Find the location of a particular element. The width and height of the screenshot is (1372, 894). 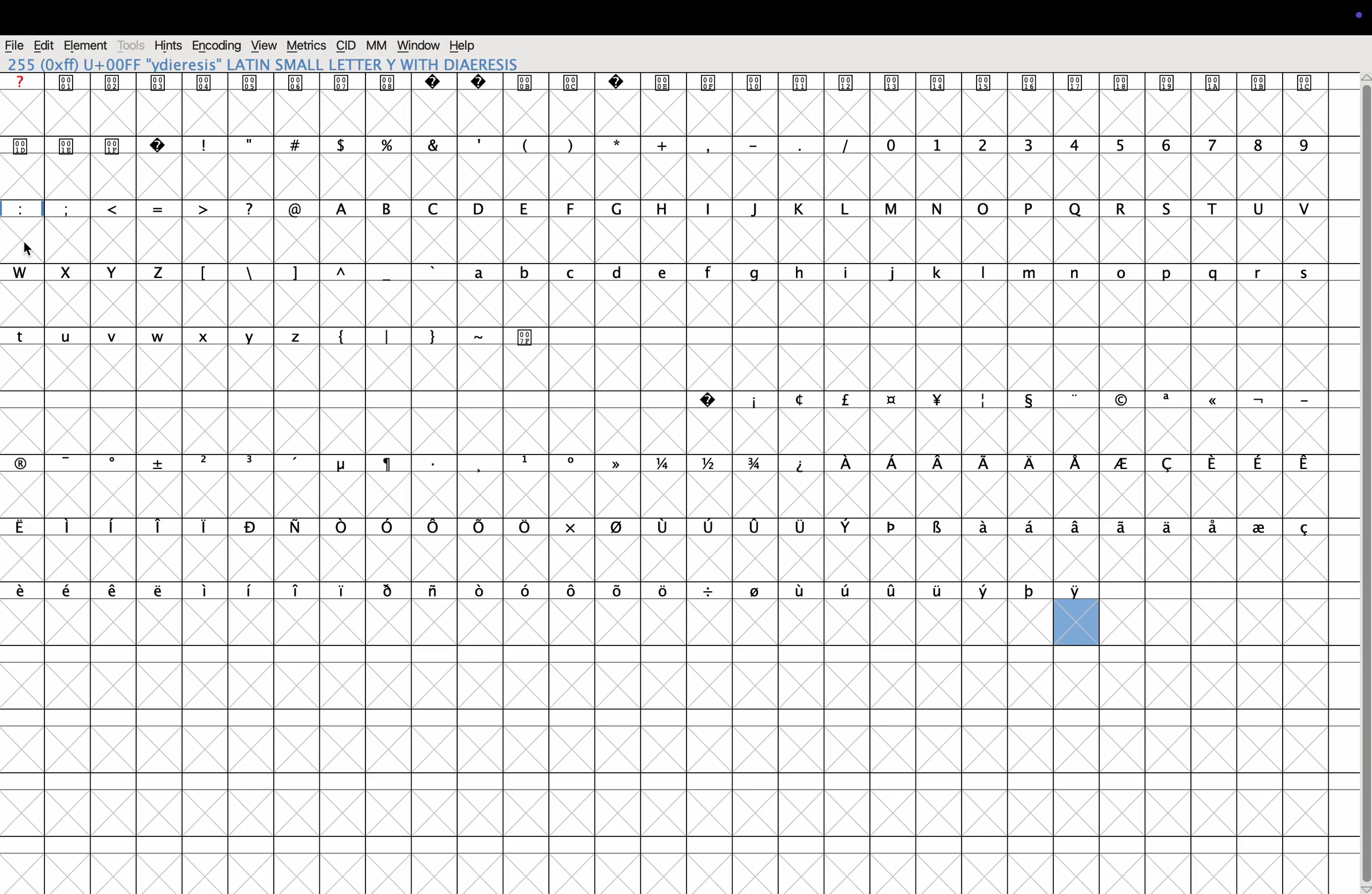

K is located at coordinates (802, 229).